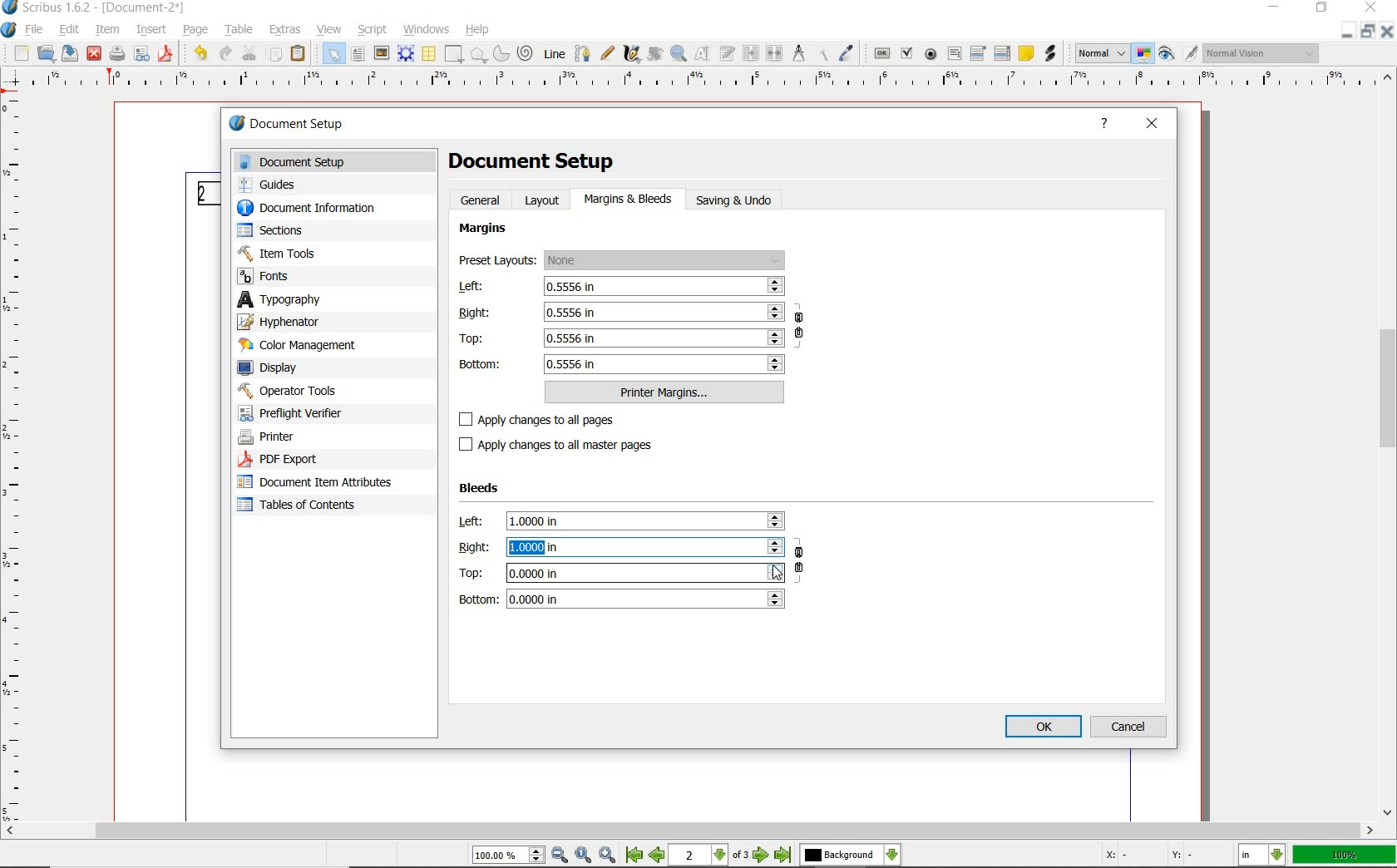 This screenshot has width=1397, height=868. What do you see at coordinates (116, 53) in the screenshot?
I see `print` at bounding box center [116, 53].